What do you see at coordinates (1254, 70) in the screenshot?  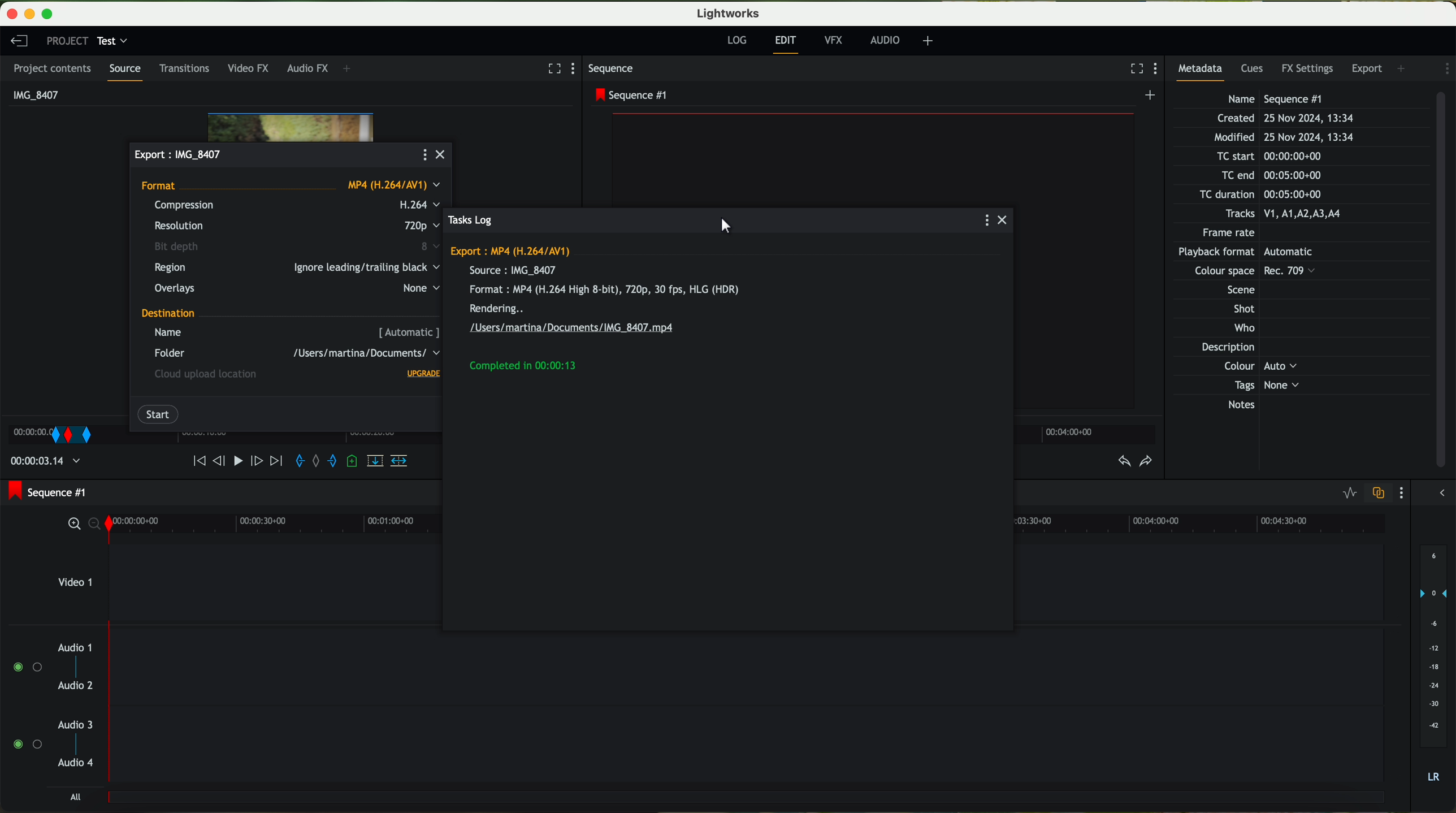 I see `cues` at bounding box center [1254, 70].